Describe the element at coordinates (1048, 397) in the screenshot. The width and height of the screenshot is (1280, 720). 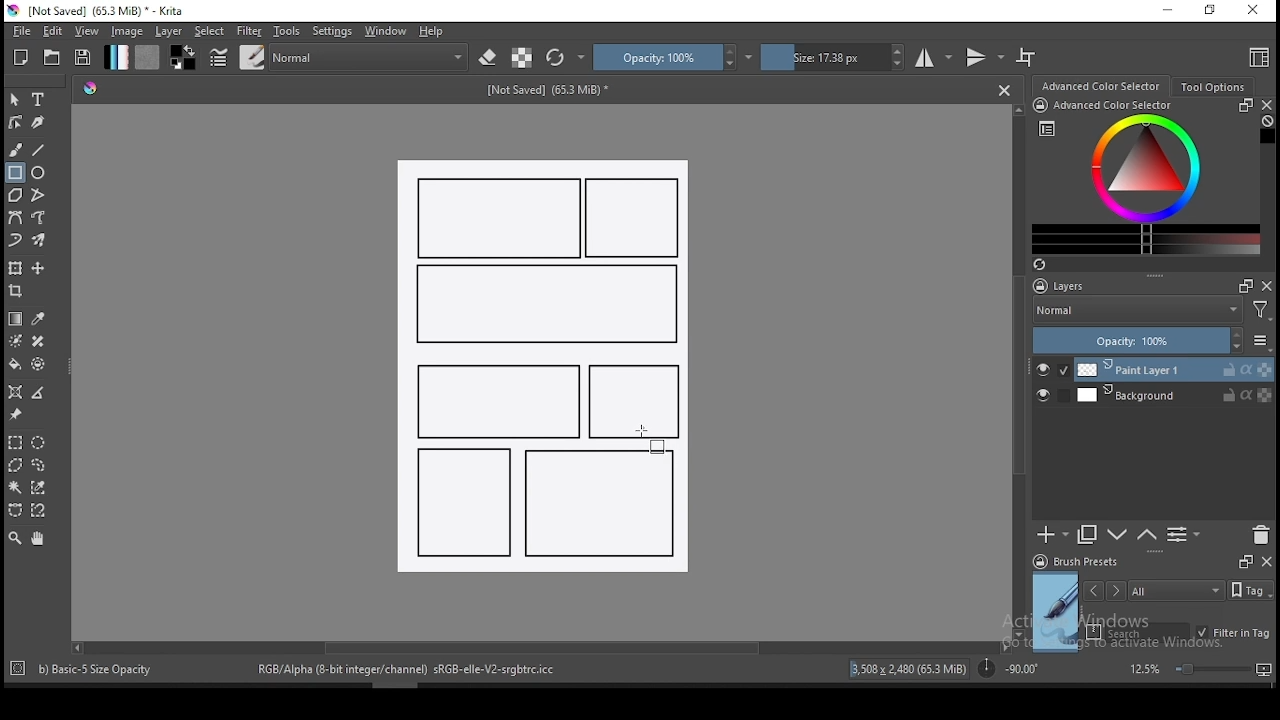
I see `layer visibility on/off` at that location.